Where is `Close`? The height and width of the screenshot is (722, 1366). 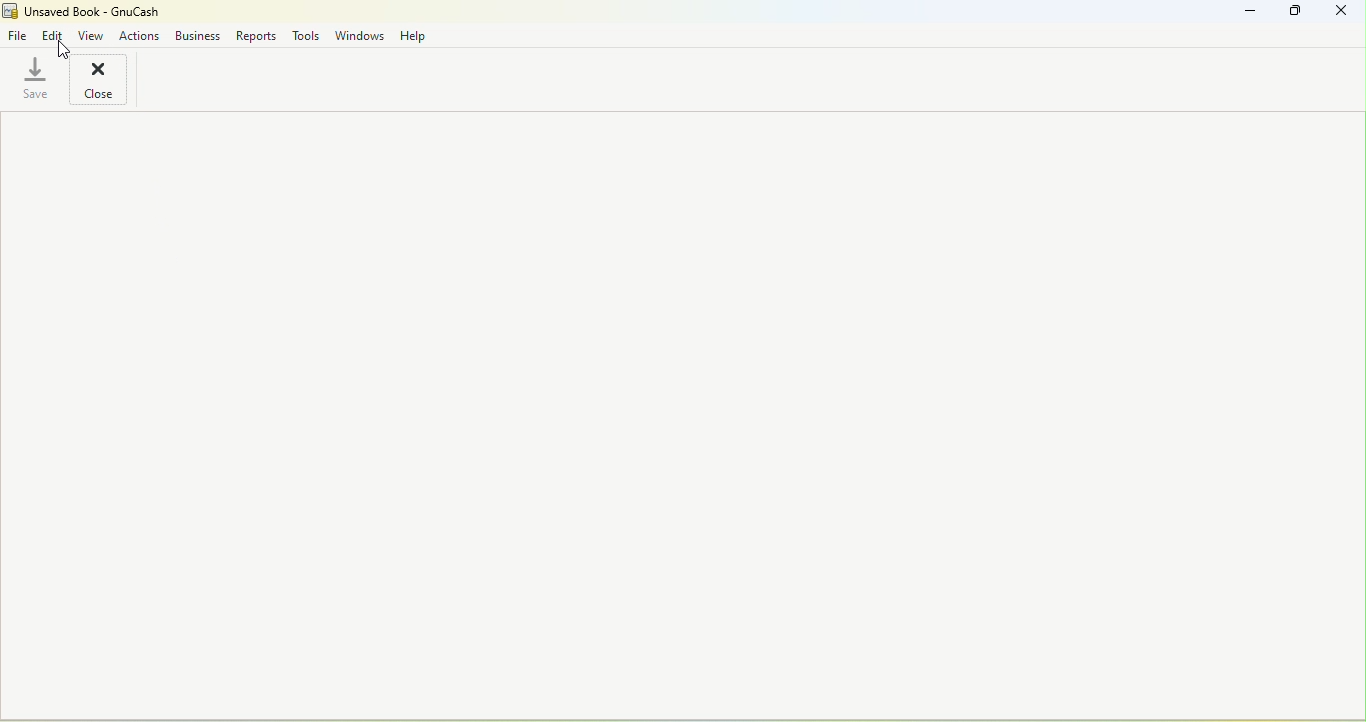
Close is located at coordinates (1346, 14).